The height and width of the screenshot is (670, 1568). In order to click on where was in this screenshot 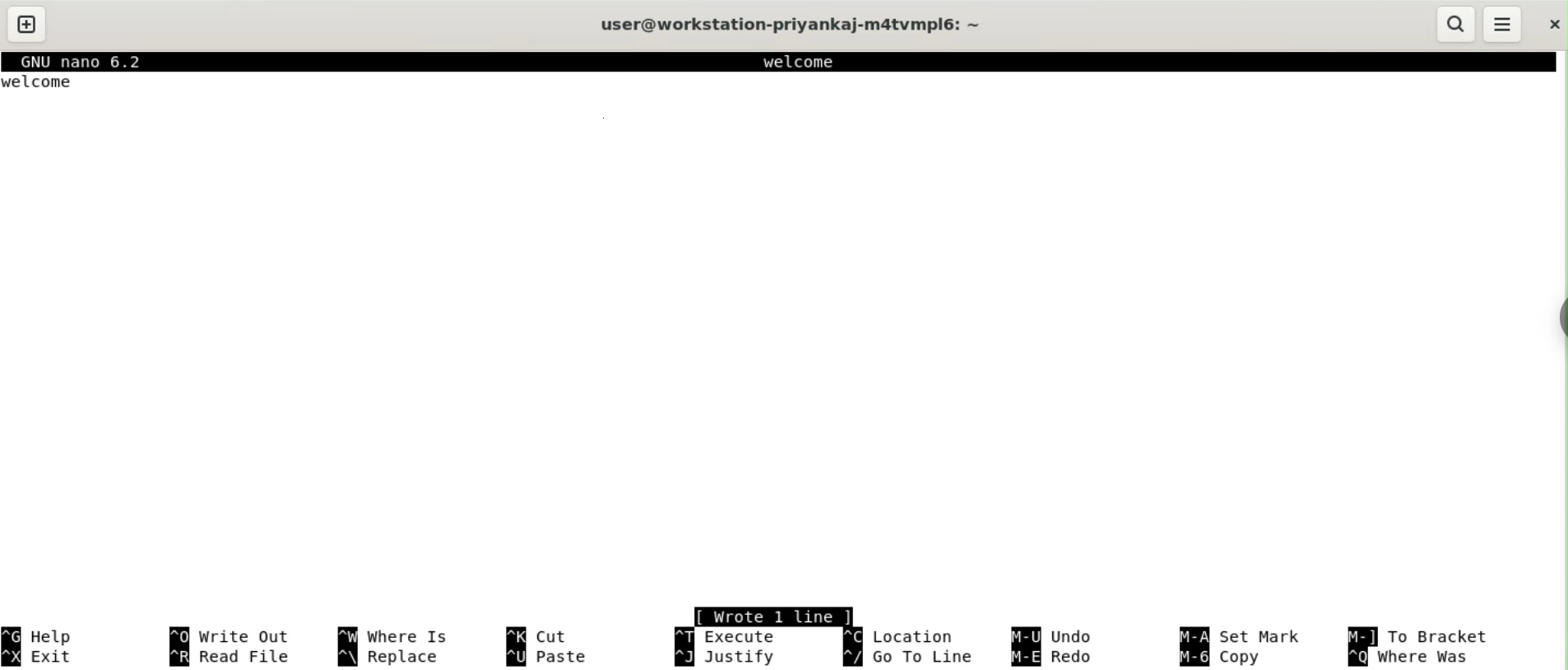, I will do `click(1417, 657)`.